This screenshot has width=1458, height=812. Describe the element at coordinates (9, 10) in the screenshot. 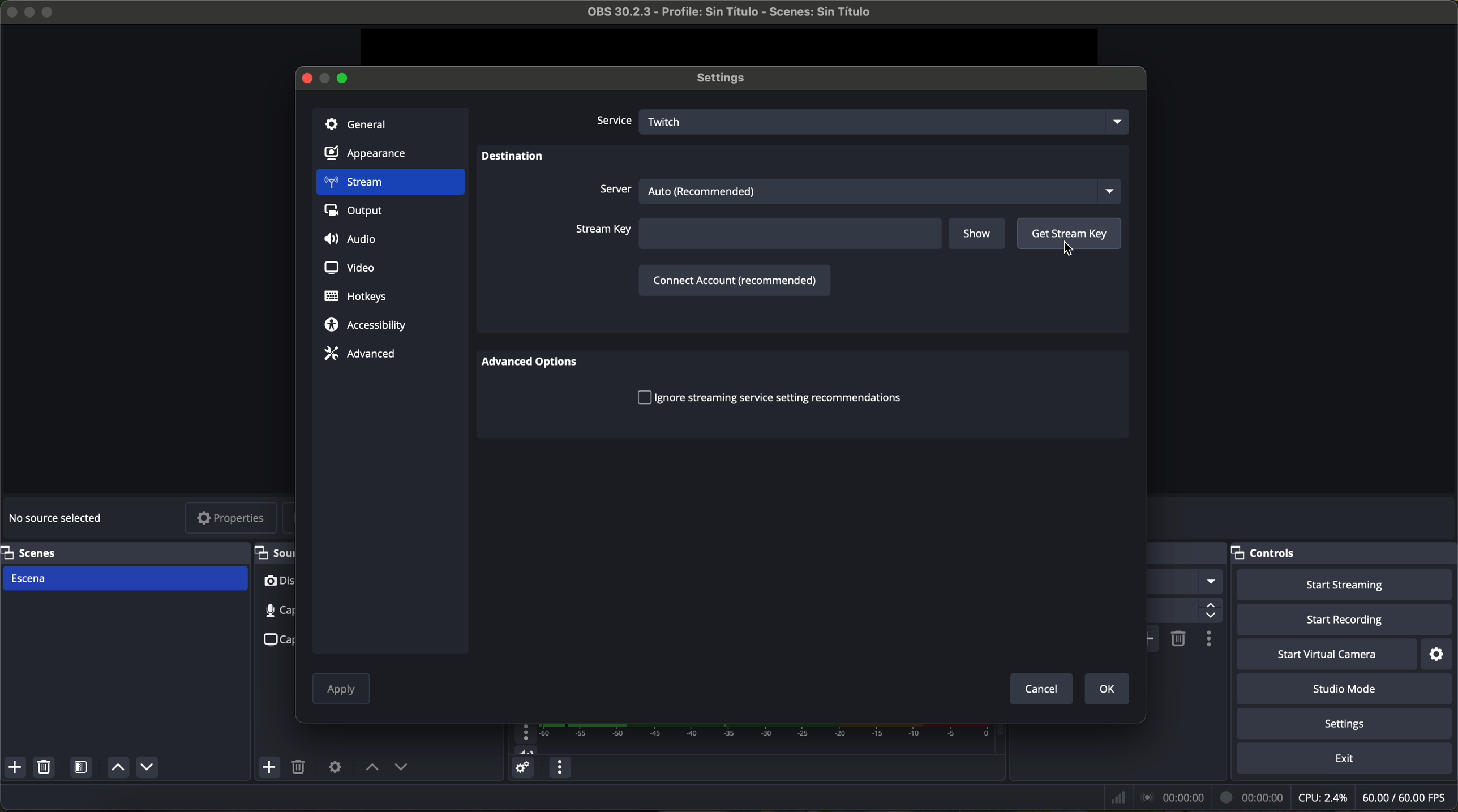

I see `close program` at that location.